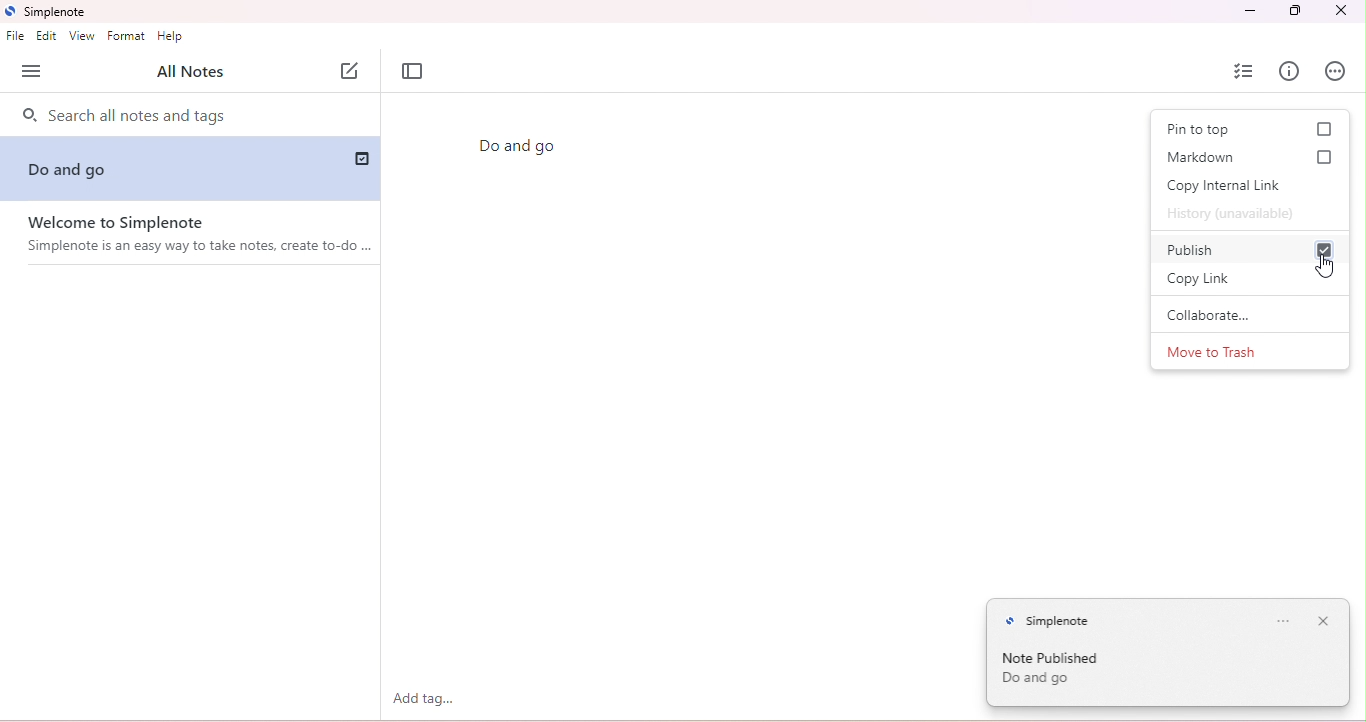  What do you see at coordinates (1219, 352) in the screenshot?
I see `move to trash` at bounding box center [1219, 352].